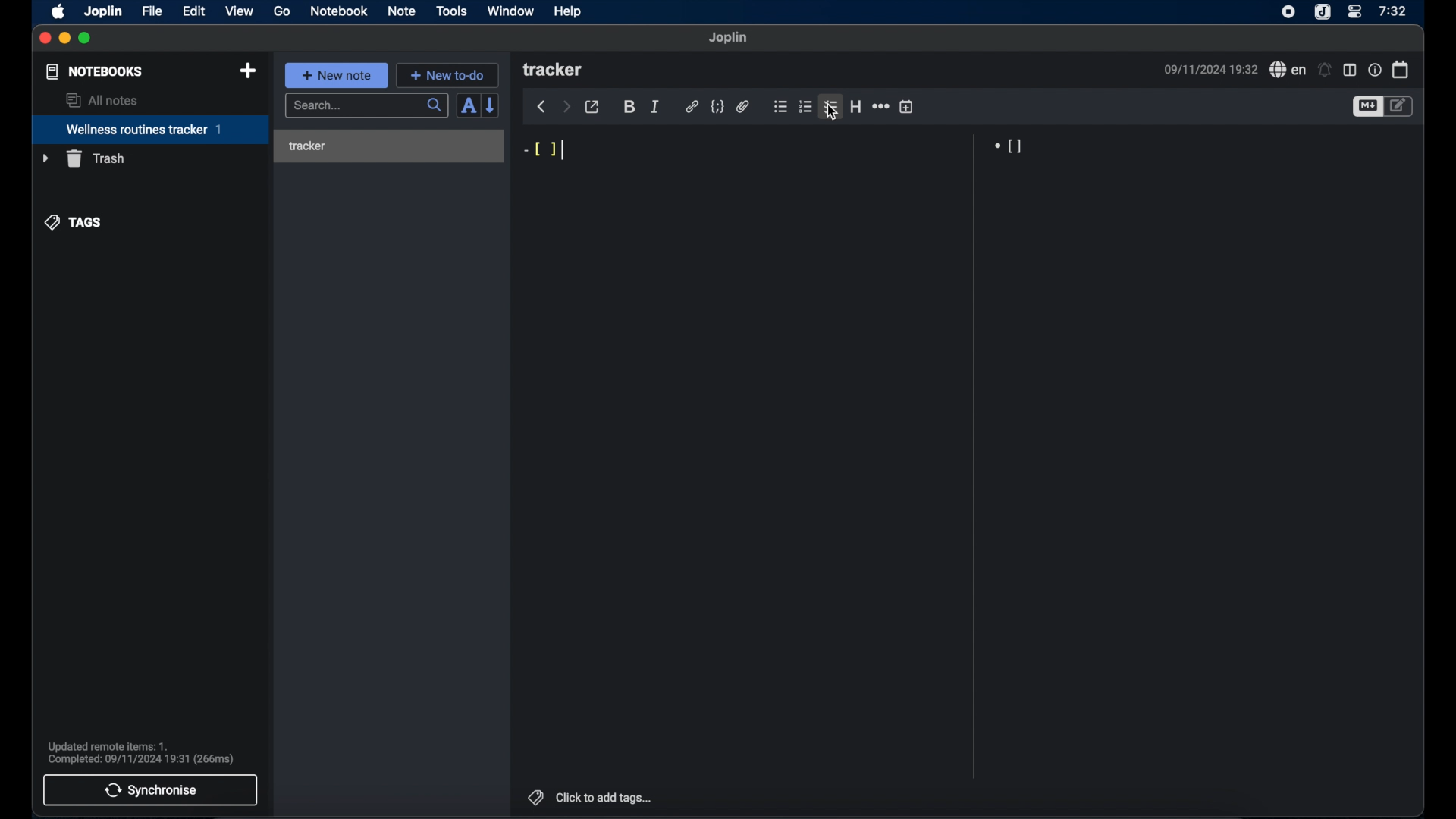 Image resolution: width=1456 pixels, height=819 pixels. Describe the element at coordinates (1323, 12) in the screenshot. I see `joplin icon` at that location.